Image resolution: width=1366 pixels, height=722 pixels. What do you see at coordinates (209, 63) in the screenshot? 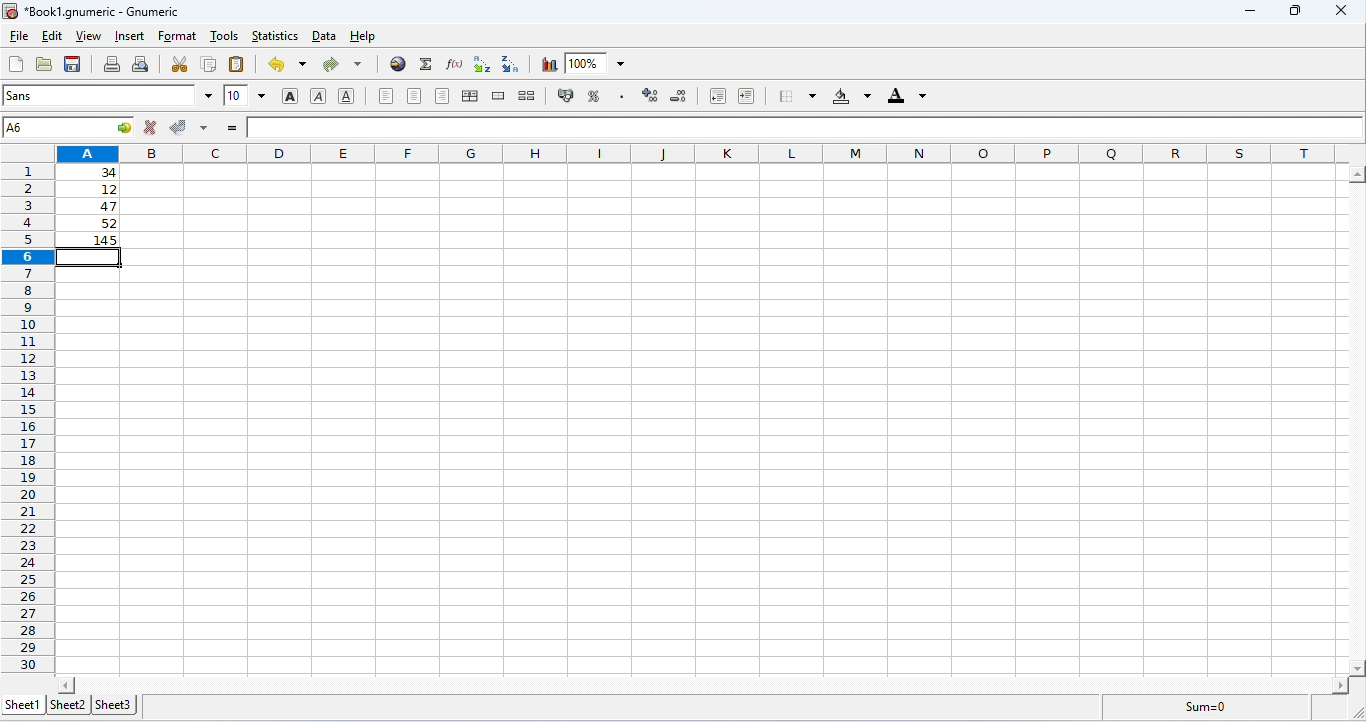
I see `copy` at bounding box center [209, 63].